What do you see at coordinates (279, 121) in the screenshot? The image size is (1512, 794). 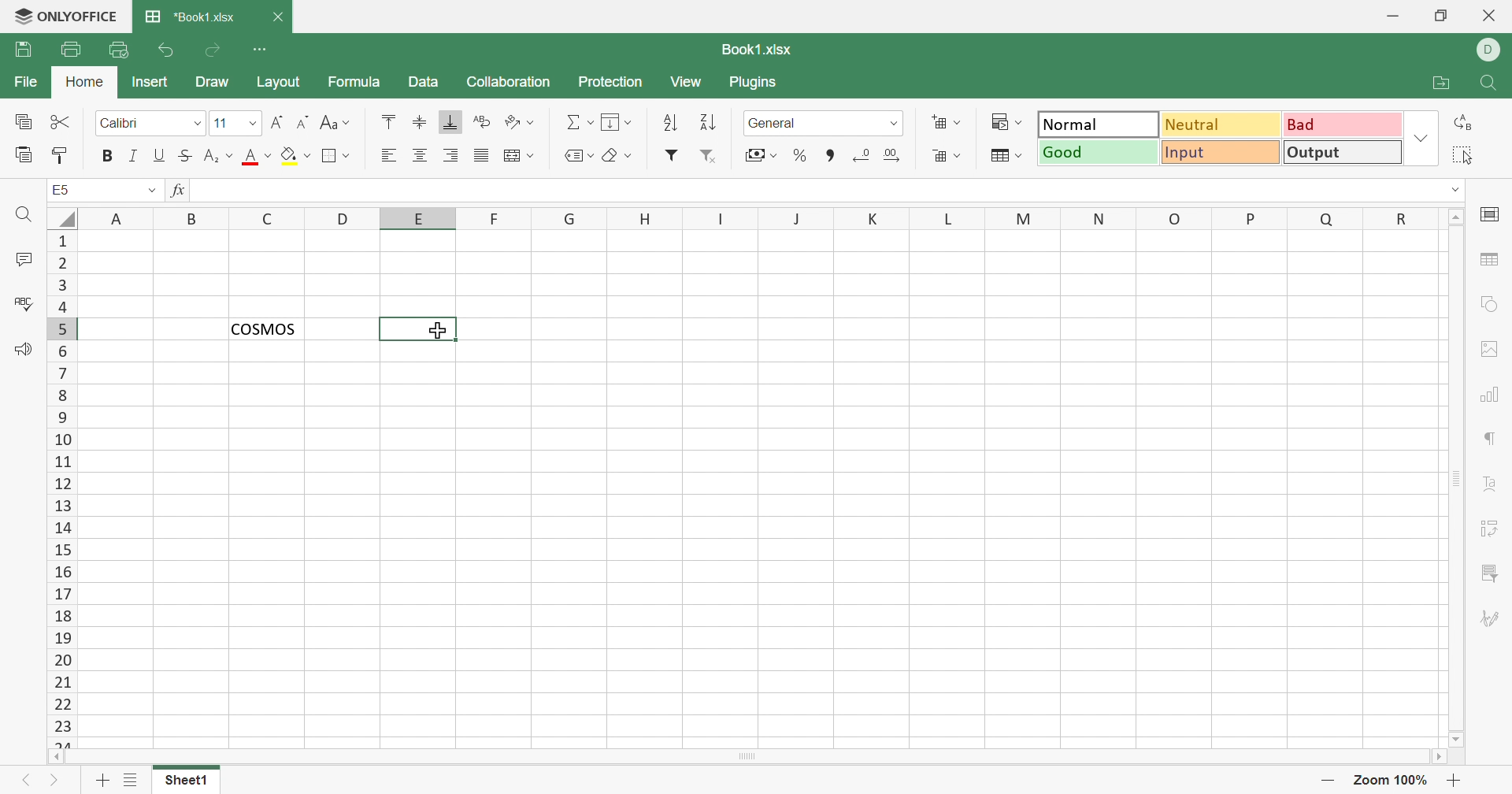 I see `Increment font size` at bounding box center [279, 121].